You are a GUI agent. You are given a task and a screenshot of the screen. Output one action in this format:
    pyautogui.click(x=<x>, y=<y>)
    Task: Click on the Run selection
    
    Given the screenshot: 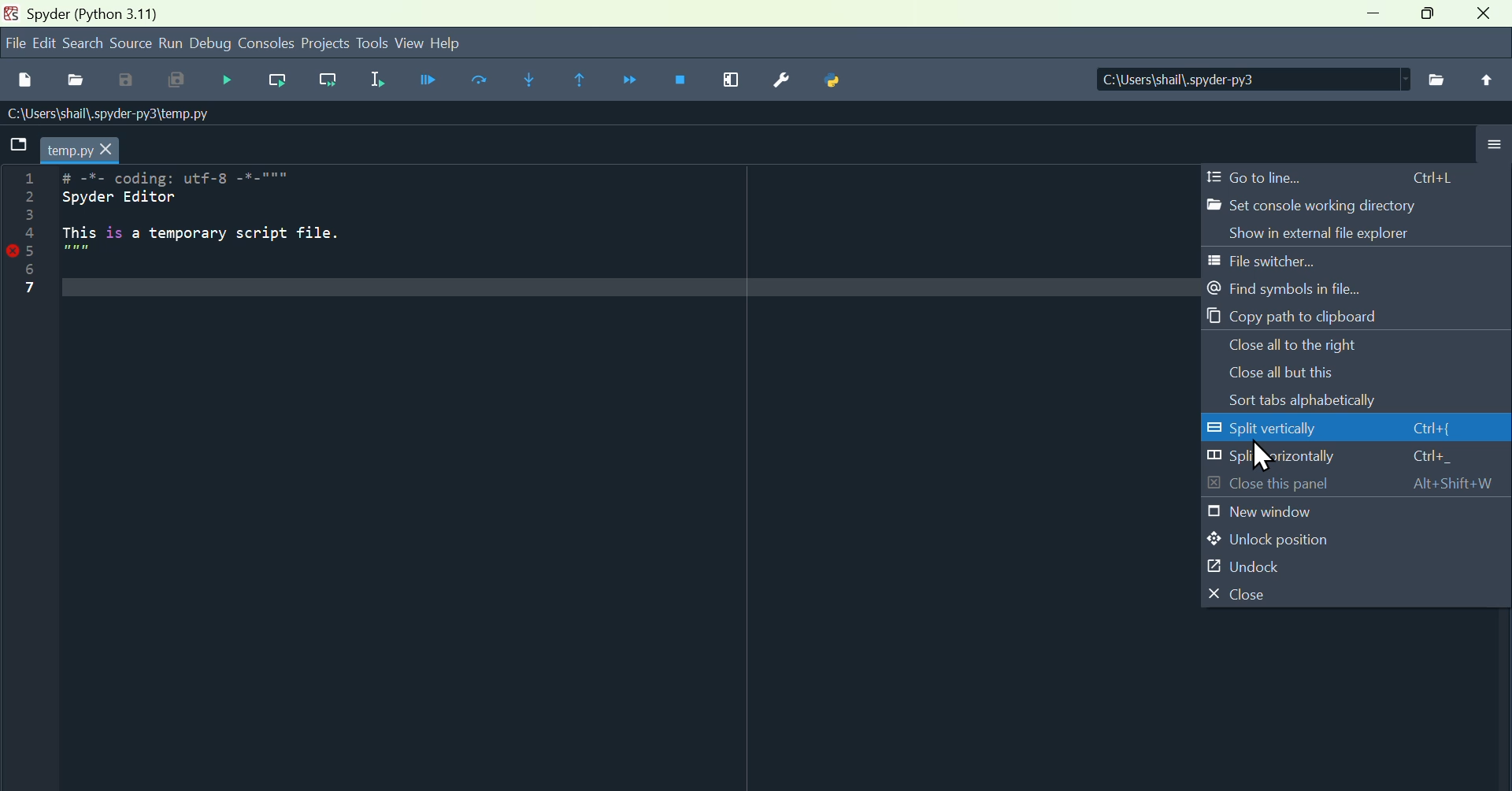 What is the action you would take?
    pyautogui.click(x=374, y=83)
    